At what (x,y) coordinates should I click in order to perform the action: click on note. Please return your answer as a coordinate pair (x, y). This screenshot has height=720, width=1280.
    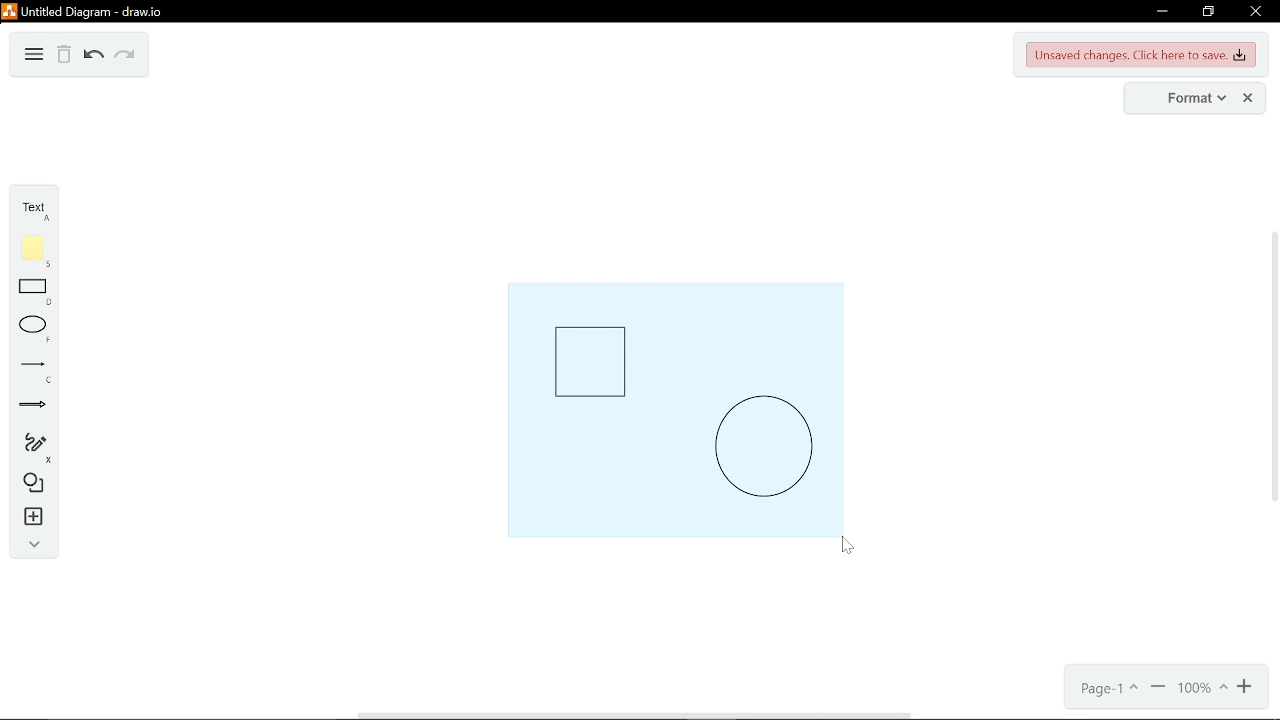
    Looking at the image, I should click on (31, 252).